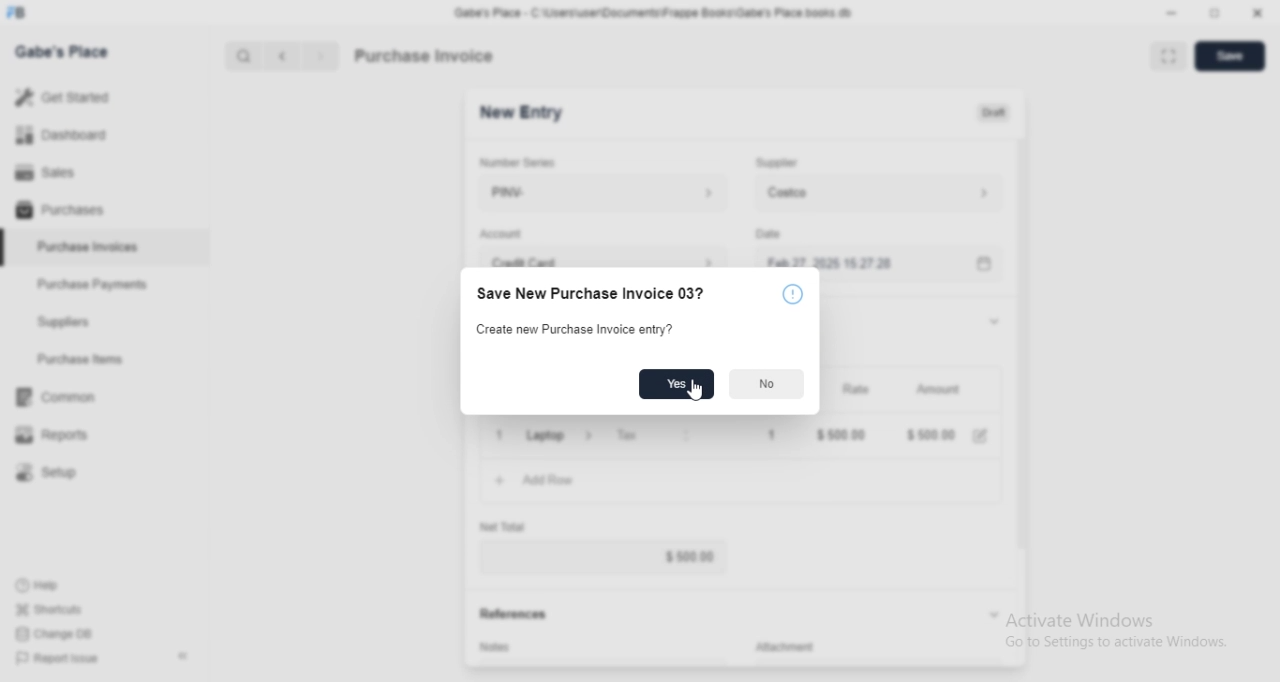  What do you see at coordinates (54, 634) in the screenshot?
I see `Change DB` at bounding box center [54, 634].